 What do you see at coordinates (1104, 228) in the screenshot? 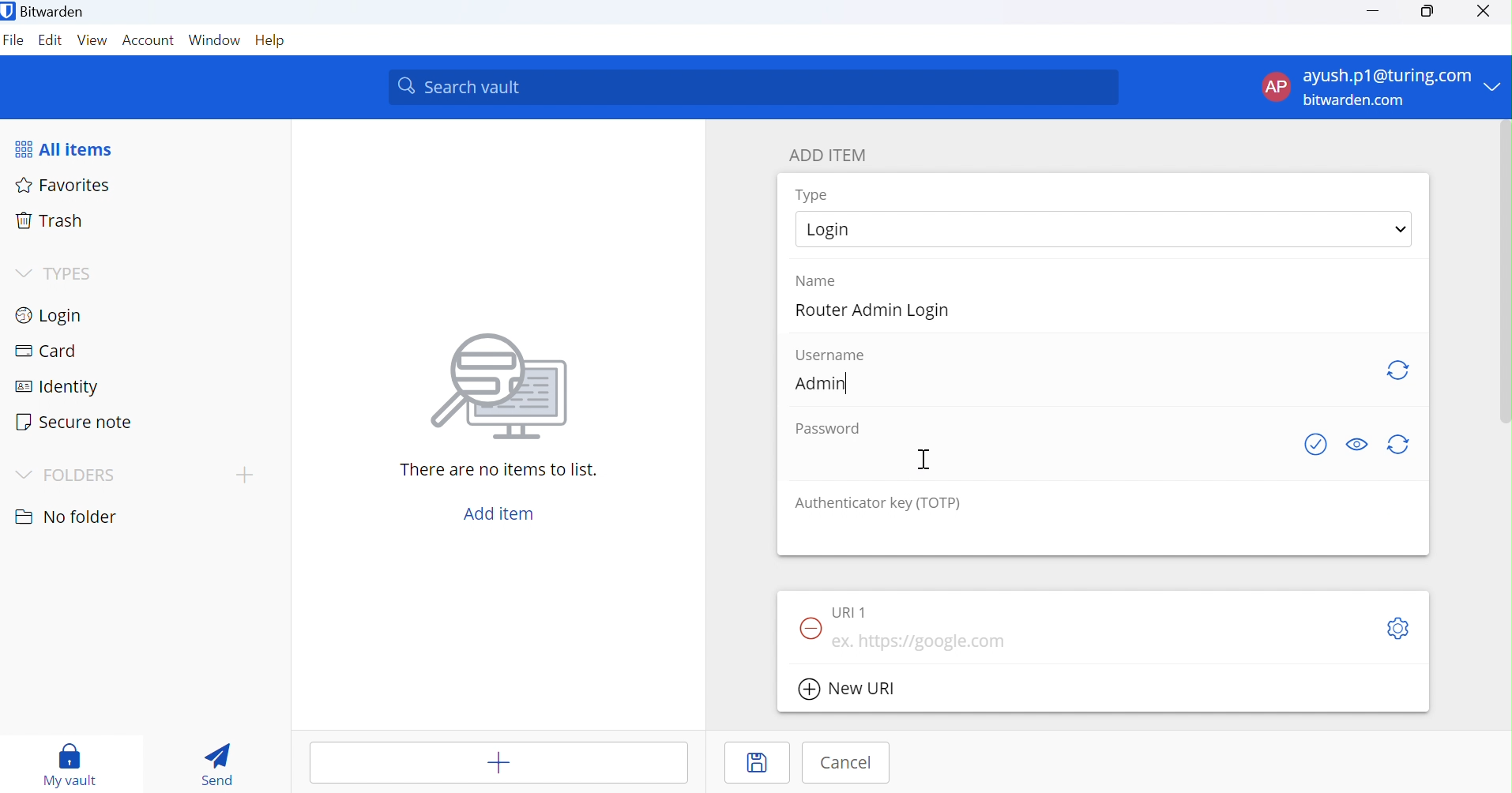
I see `select Login type` at bounding box center [1104, 228].